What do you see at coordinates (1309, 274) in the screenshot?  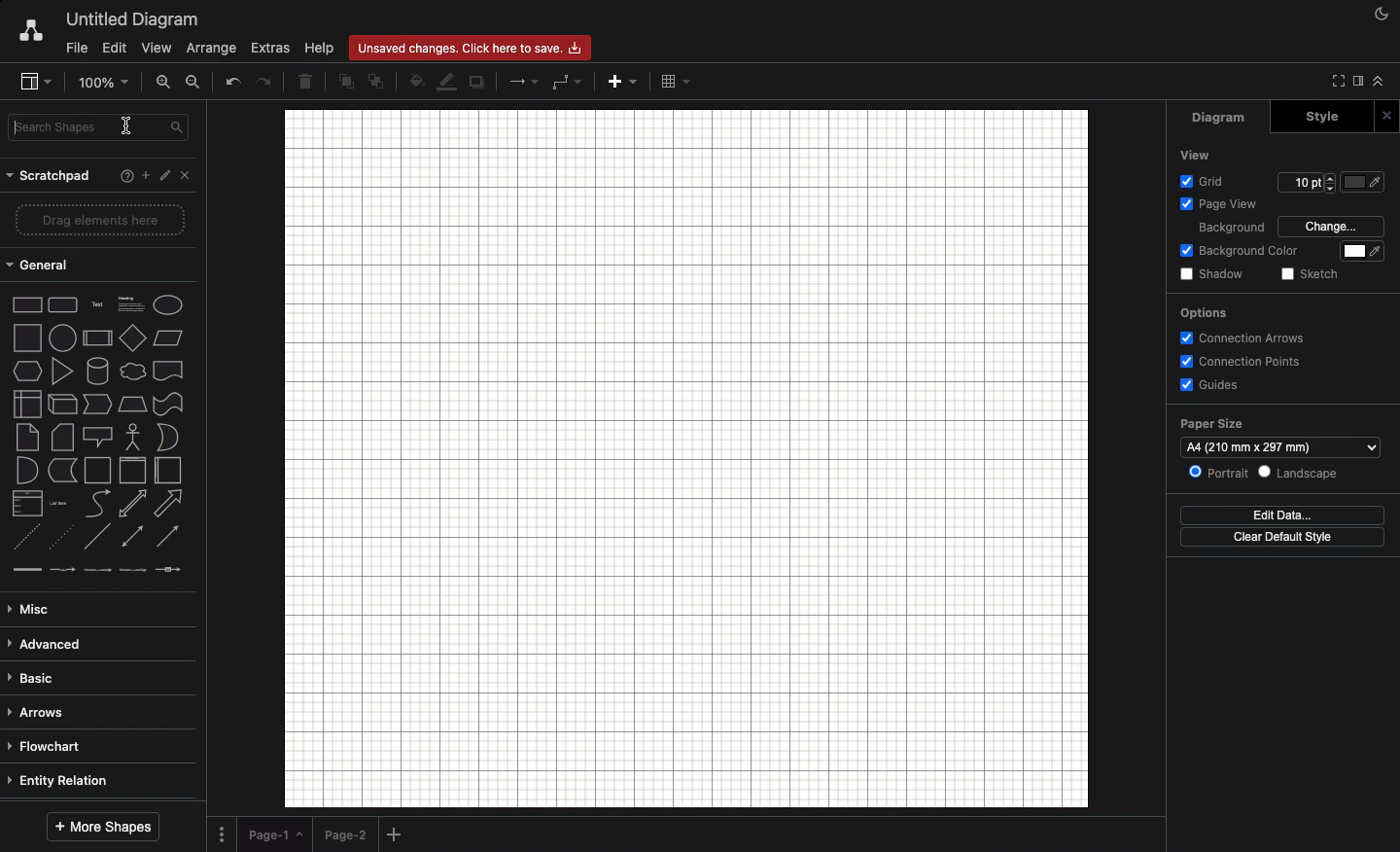 I see `Sketch` at bounding box center [1309, 274].